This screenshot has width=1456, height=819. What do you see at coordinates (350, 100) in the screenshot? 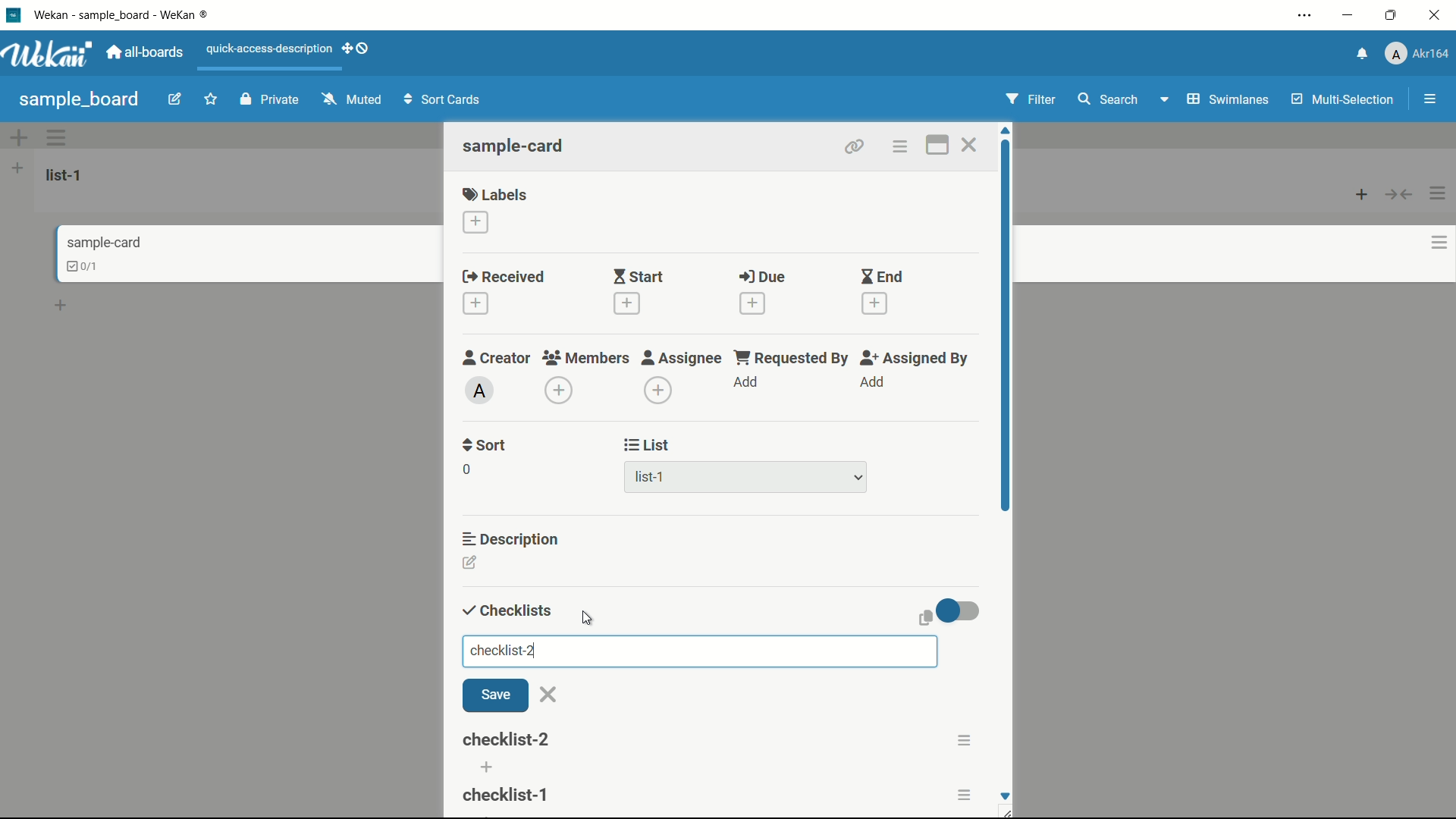
I see `muted` at bounding box center [350, 100].